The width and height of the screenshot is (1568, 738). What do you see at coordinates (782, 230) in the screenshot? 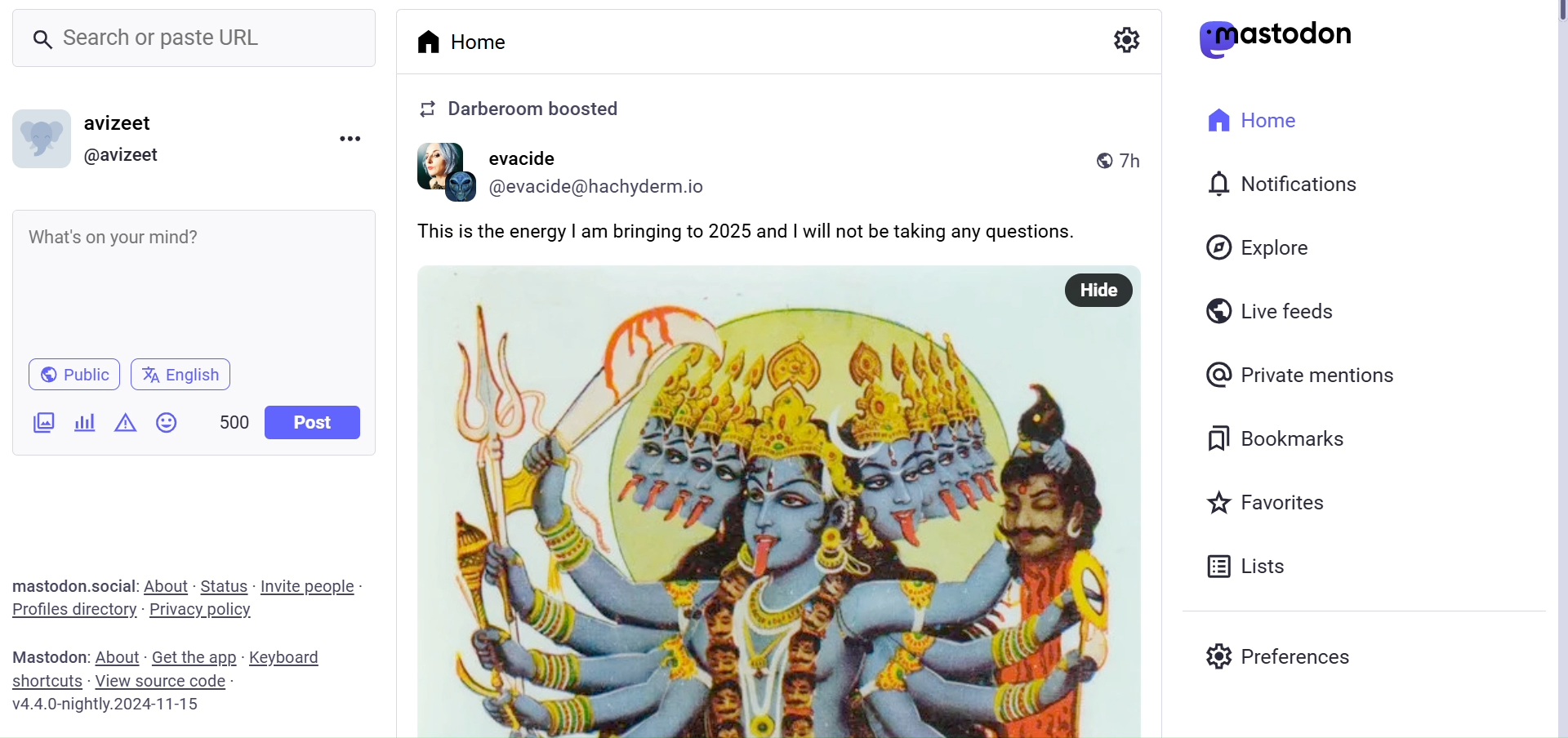
I see `post` at bounding box center [782, 230].